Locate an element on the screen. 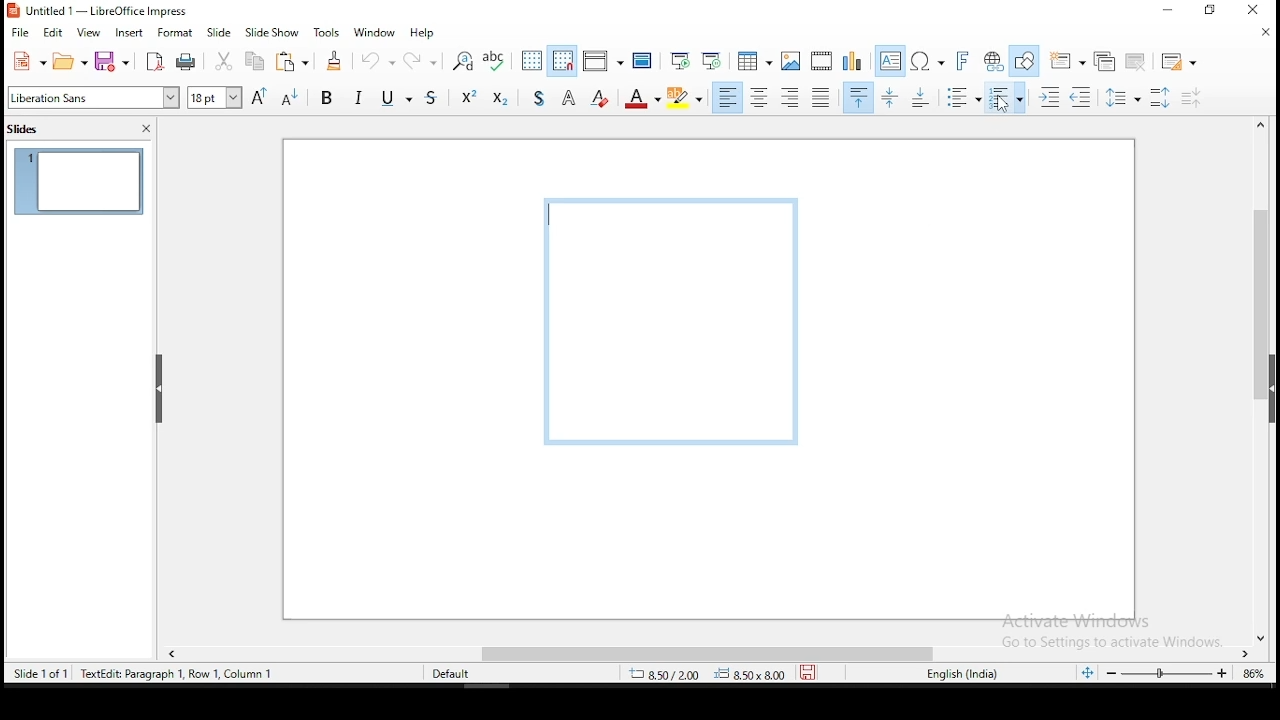 This screenshot has height=720, width=1280. tables is located at coordinates (756, 61).